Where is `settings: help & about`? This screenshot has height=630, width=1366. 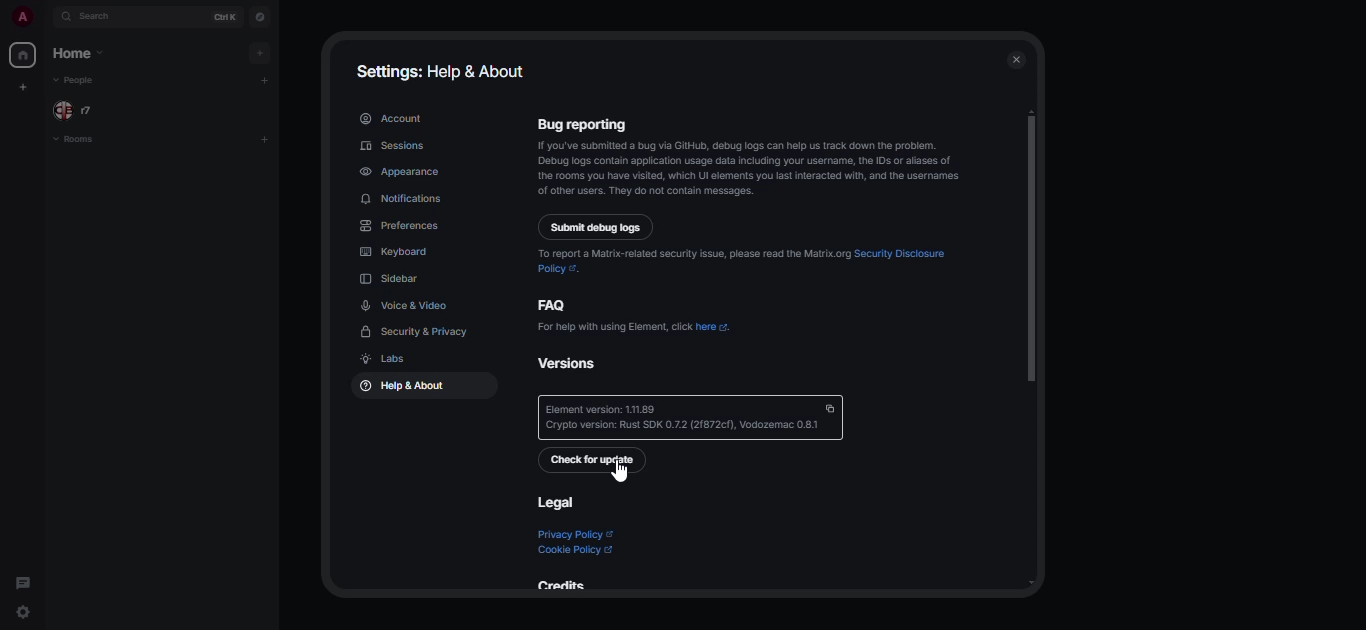 settings: help & about is located at coordinates (448, 72).